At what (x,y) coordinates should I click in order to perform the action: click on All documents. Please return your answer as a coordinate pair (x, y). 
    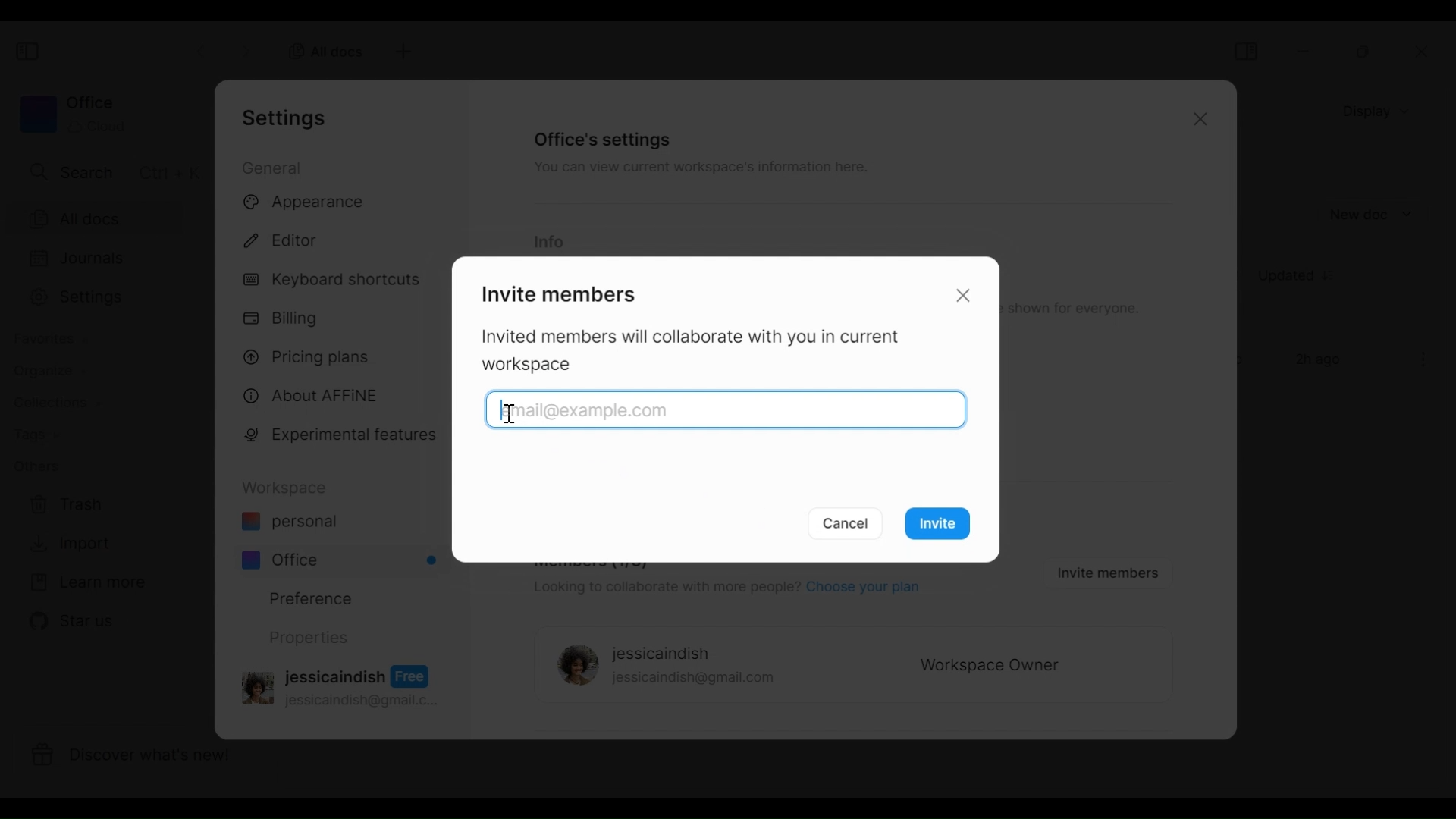
    Looking at the image, I should click on (321, 50).